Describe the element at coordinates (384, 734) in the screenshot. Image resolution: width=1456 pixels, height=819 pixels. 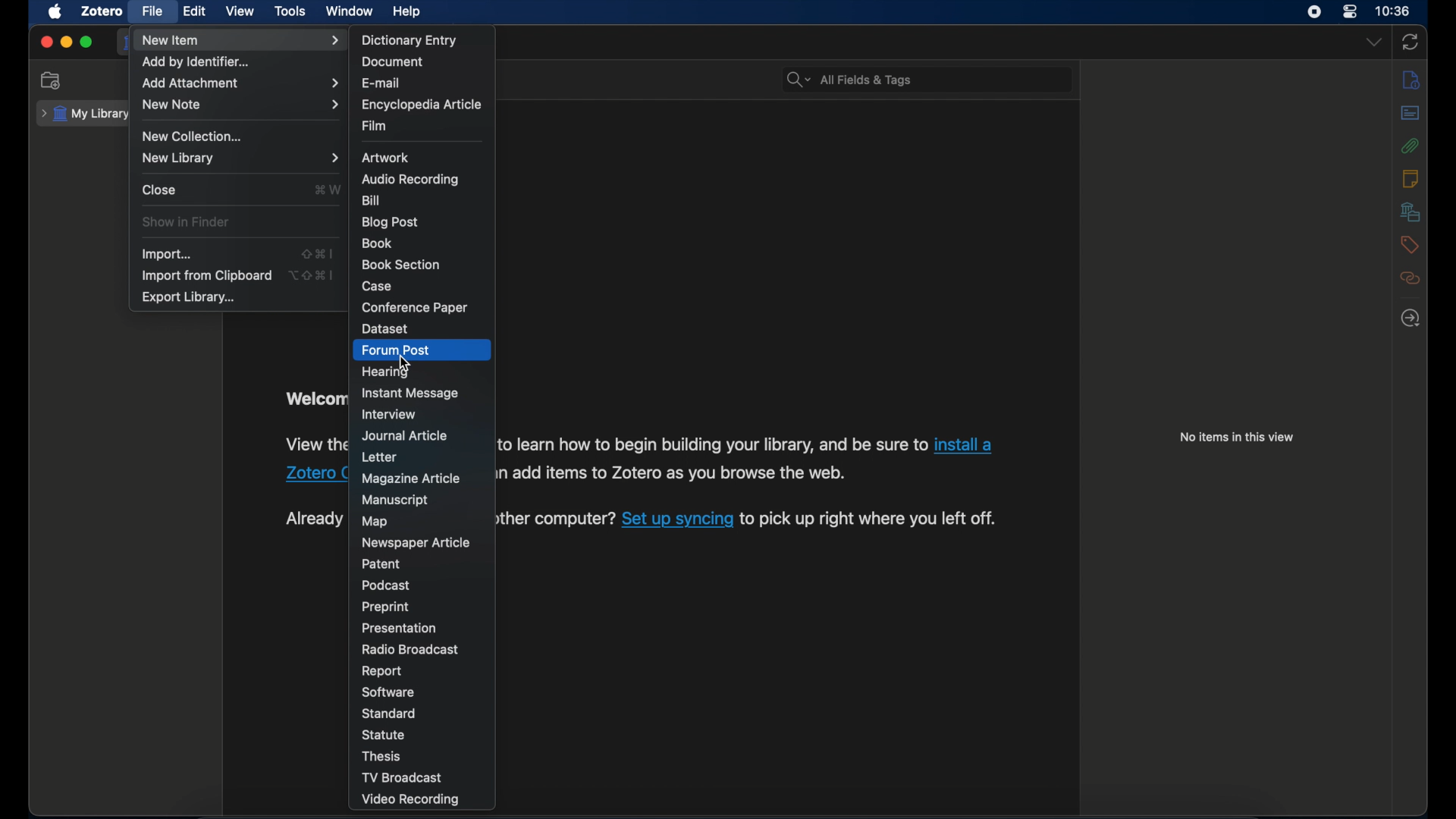
I see `statue` at that location.